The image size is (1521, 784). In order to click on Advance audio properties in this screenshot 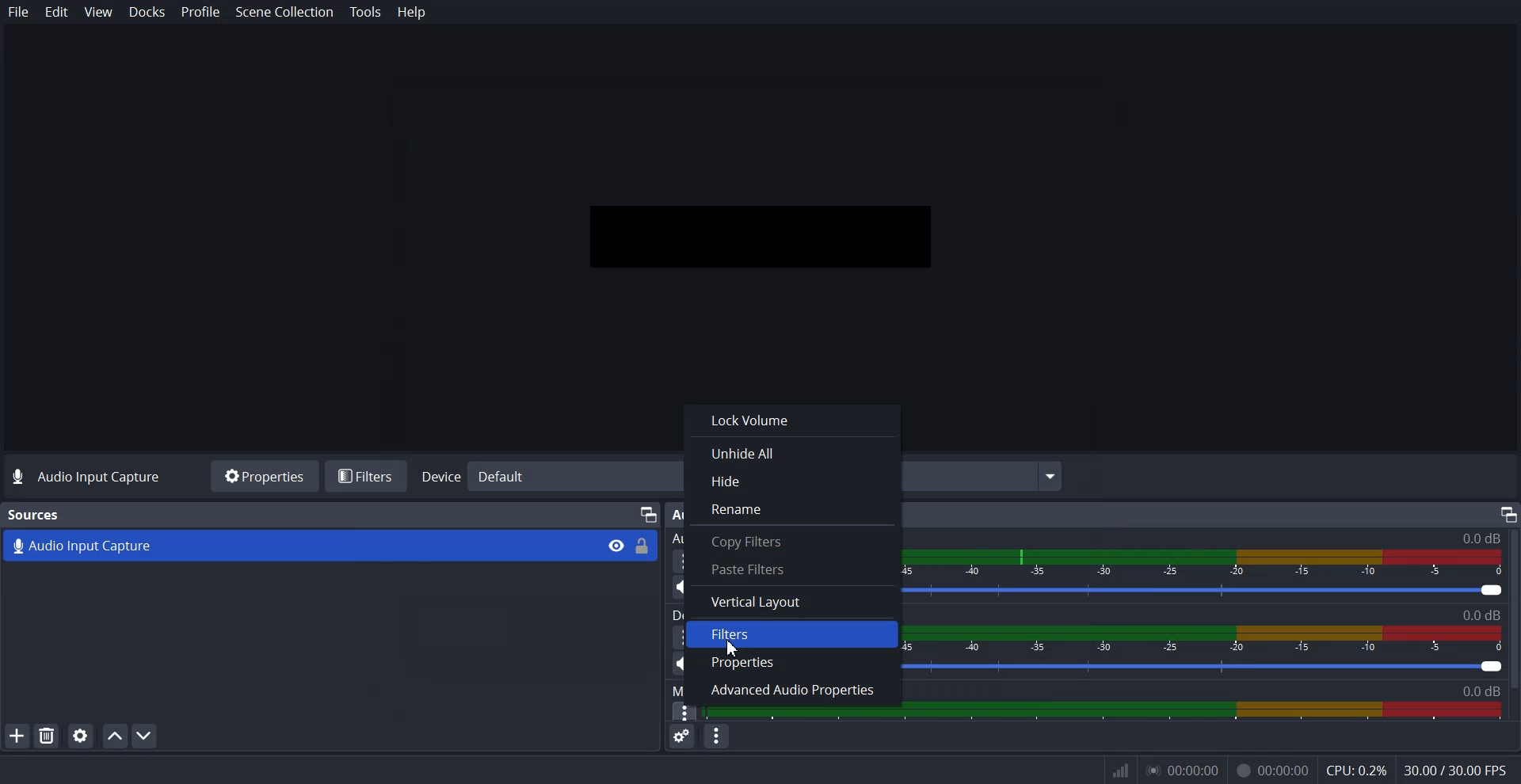, I will do `click(681, 738)`.